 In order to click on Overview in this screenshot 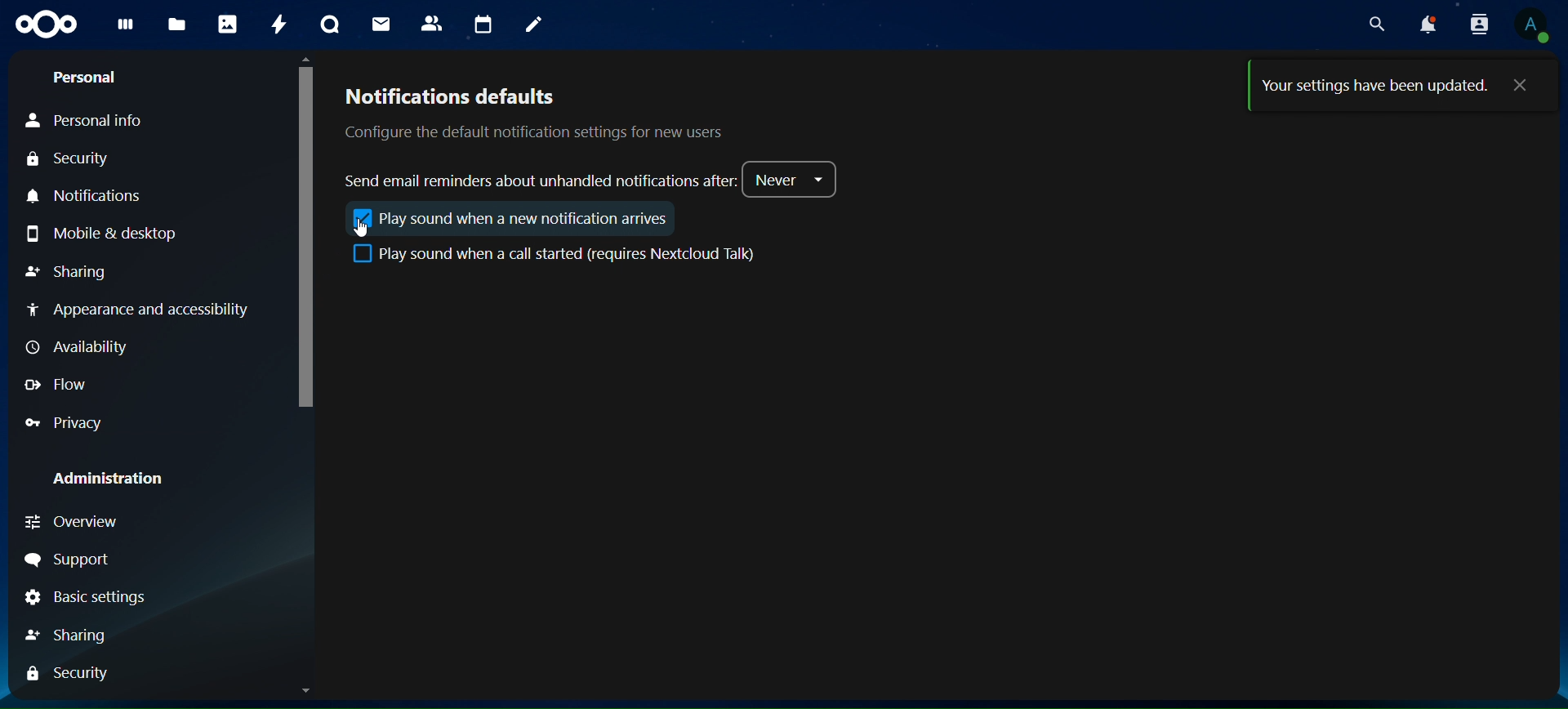, I will do `click(75, 525)`.